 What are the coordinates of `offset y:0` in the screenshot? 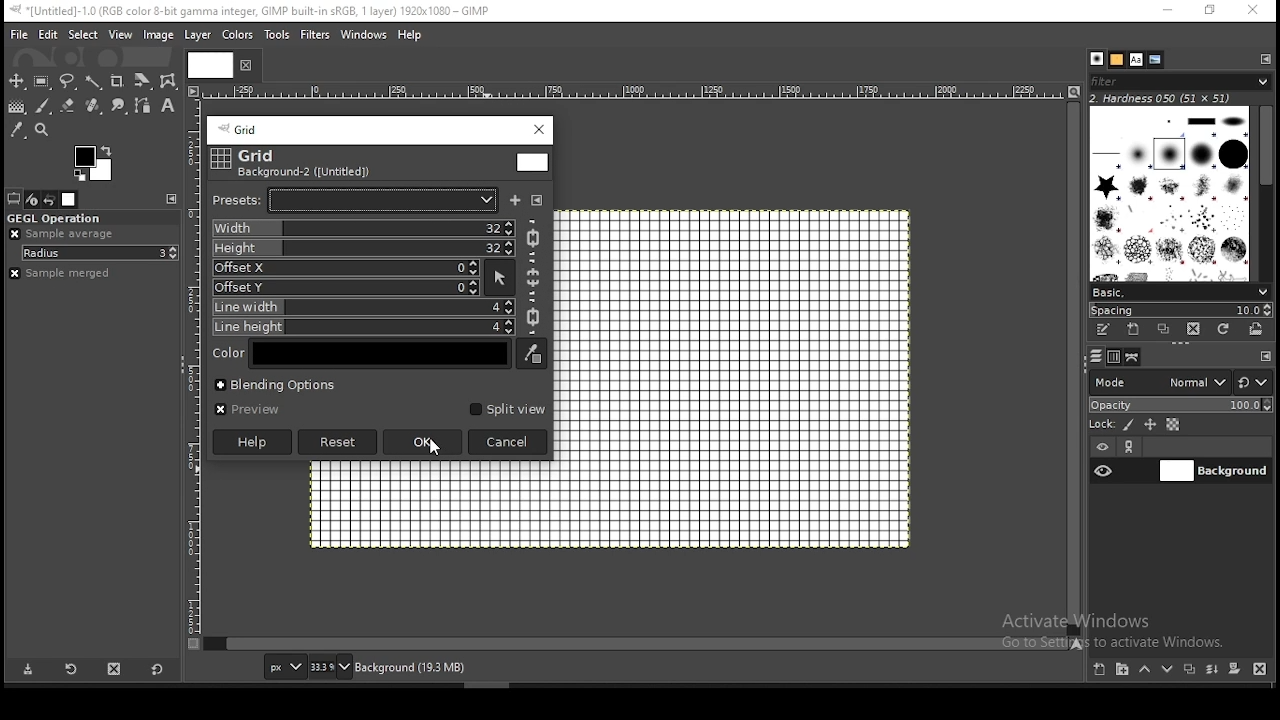 It's located at (347, 287).